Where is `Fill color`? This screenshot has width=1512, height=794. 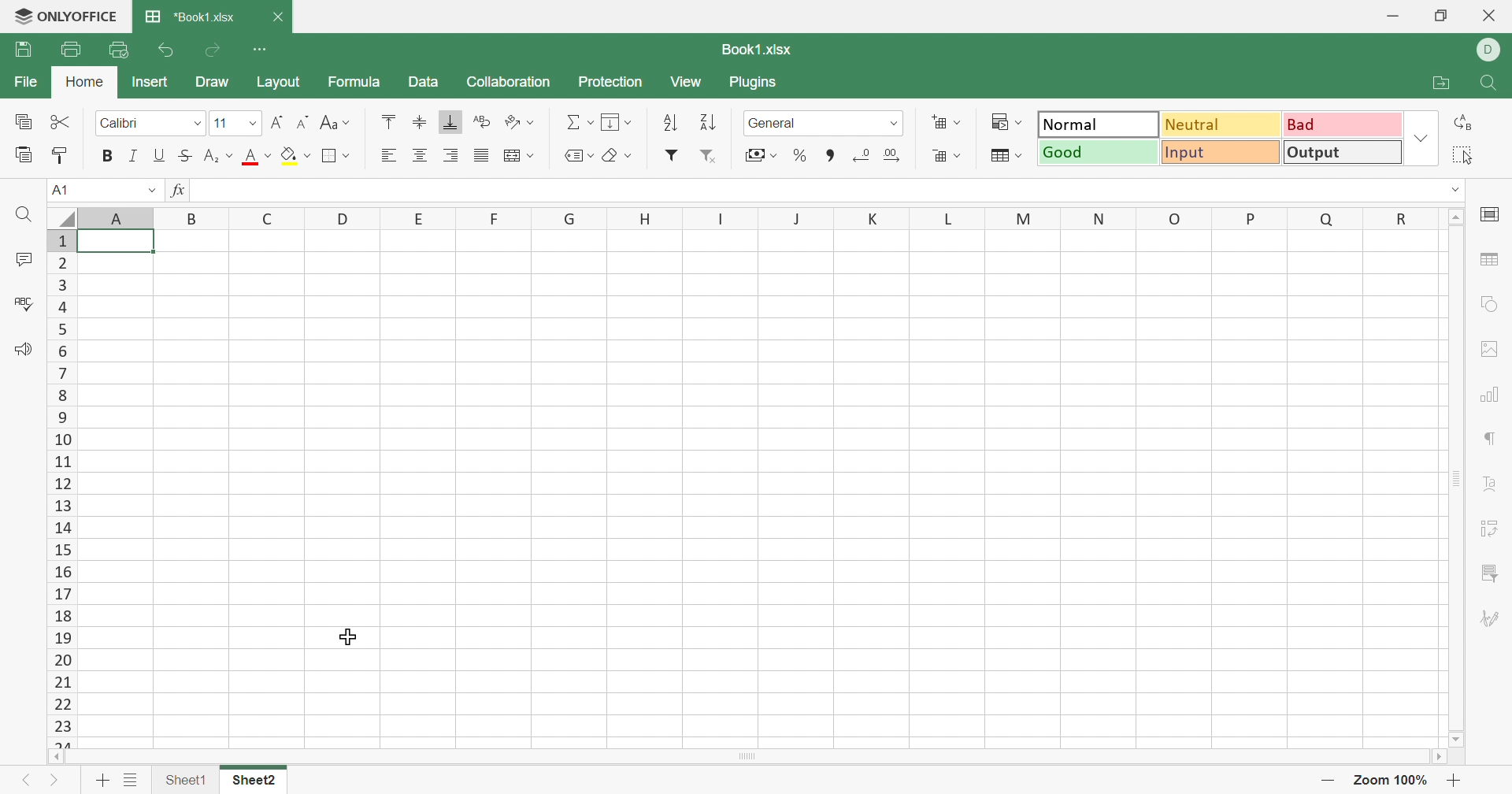
Fill color is located at coordinates (302, 158).